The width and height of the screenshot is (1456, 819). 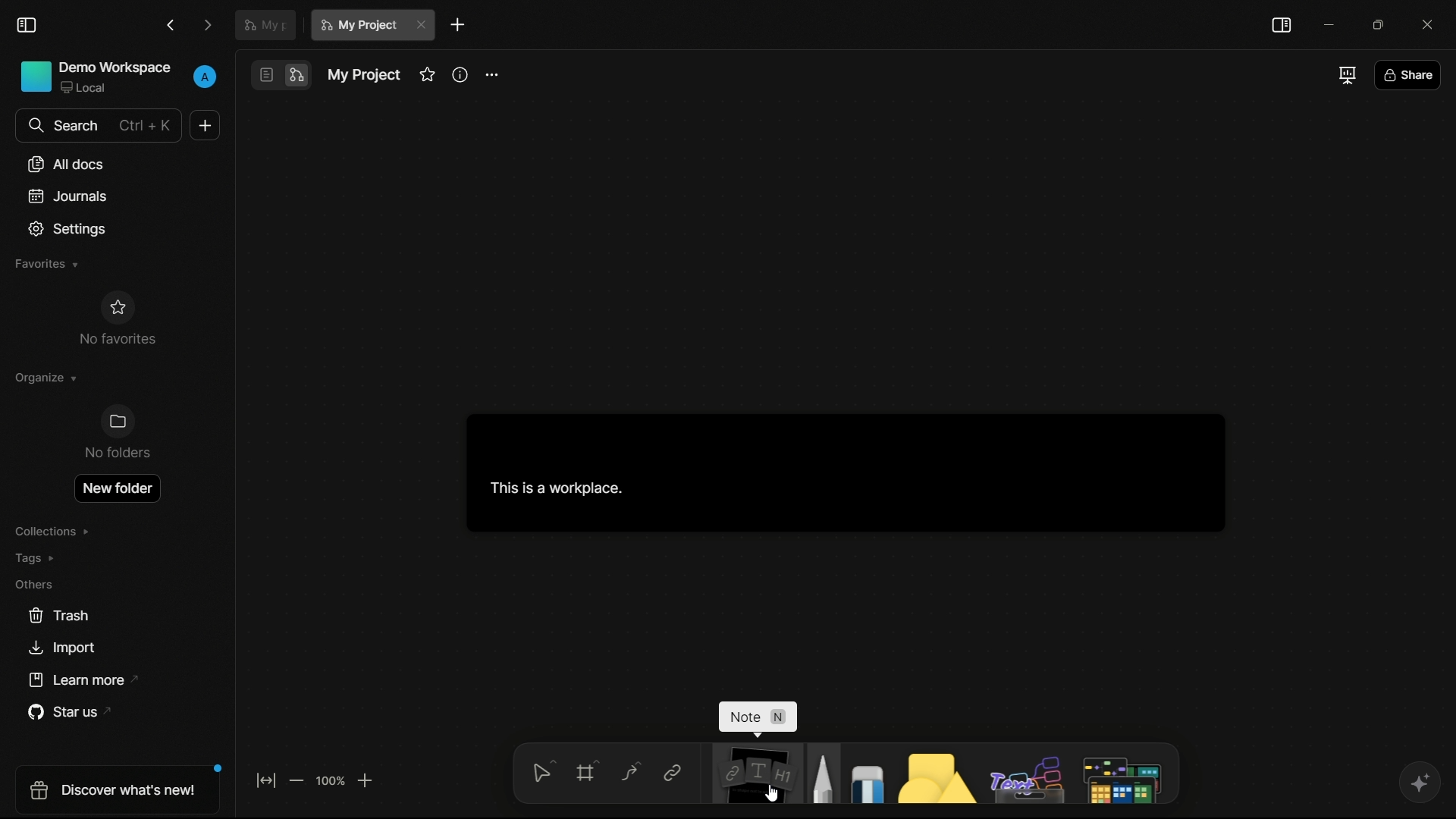 What do you see at coordinates (672, 773) in the screenshot?
I see `link` at bounding box center [672, 773].